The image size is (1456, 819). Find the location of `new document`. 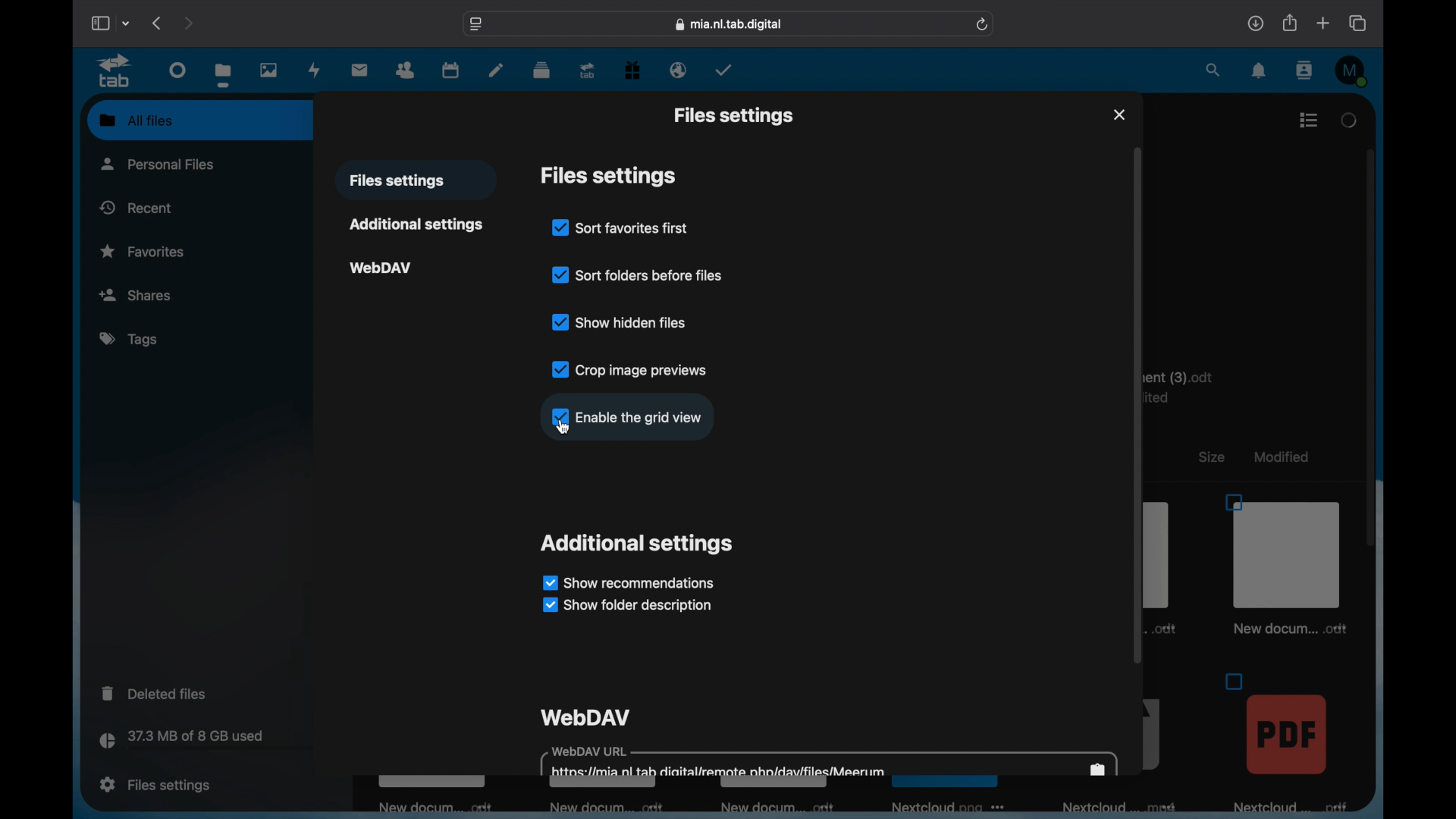

new document is located at coordinates (426, 808).